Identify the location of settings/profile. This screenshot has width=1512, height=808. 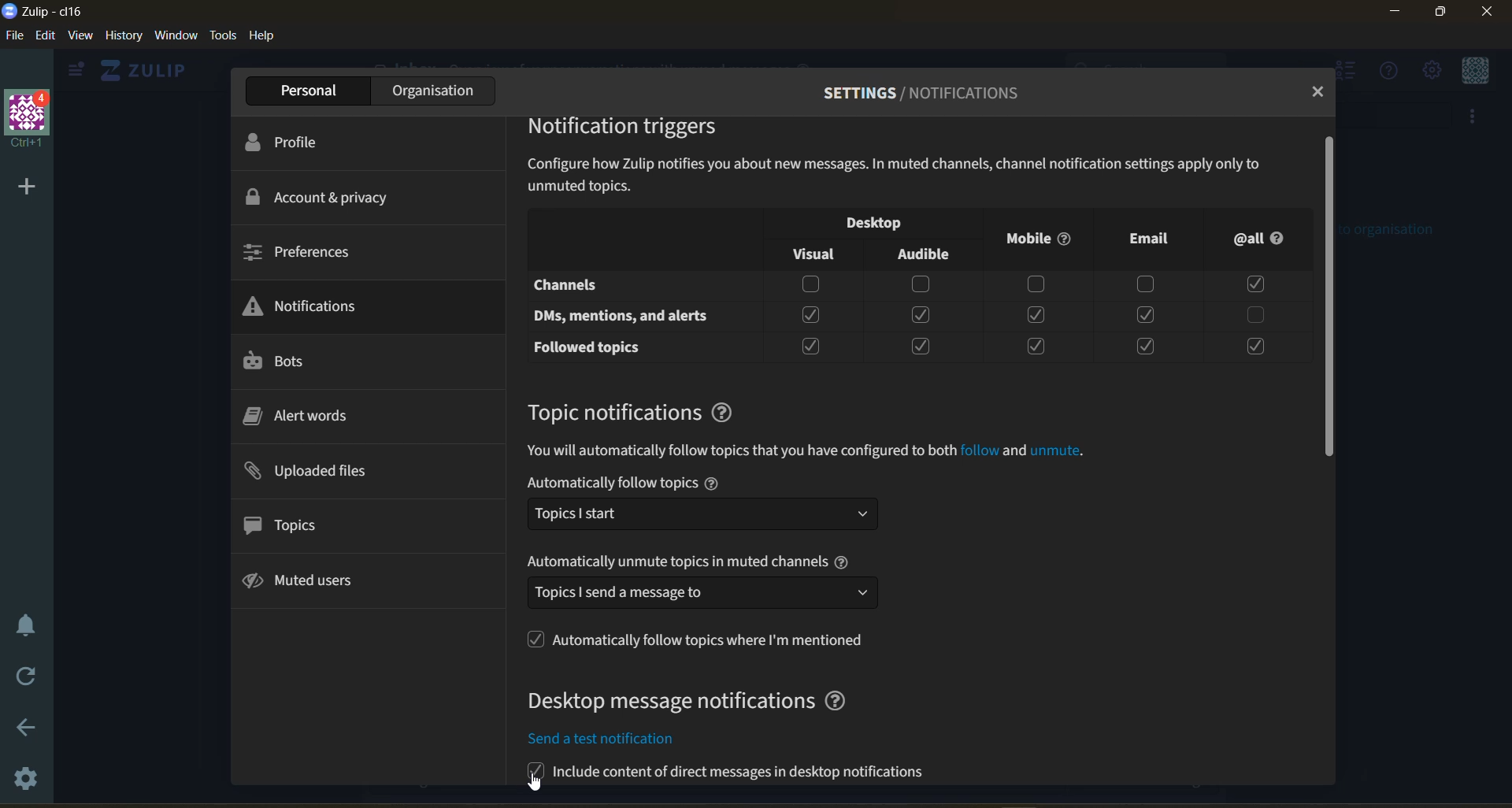
(907, 92).